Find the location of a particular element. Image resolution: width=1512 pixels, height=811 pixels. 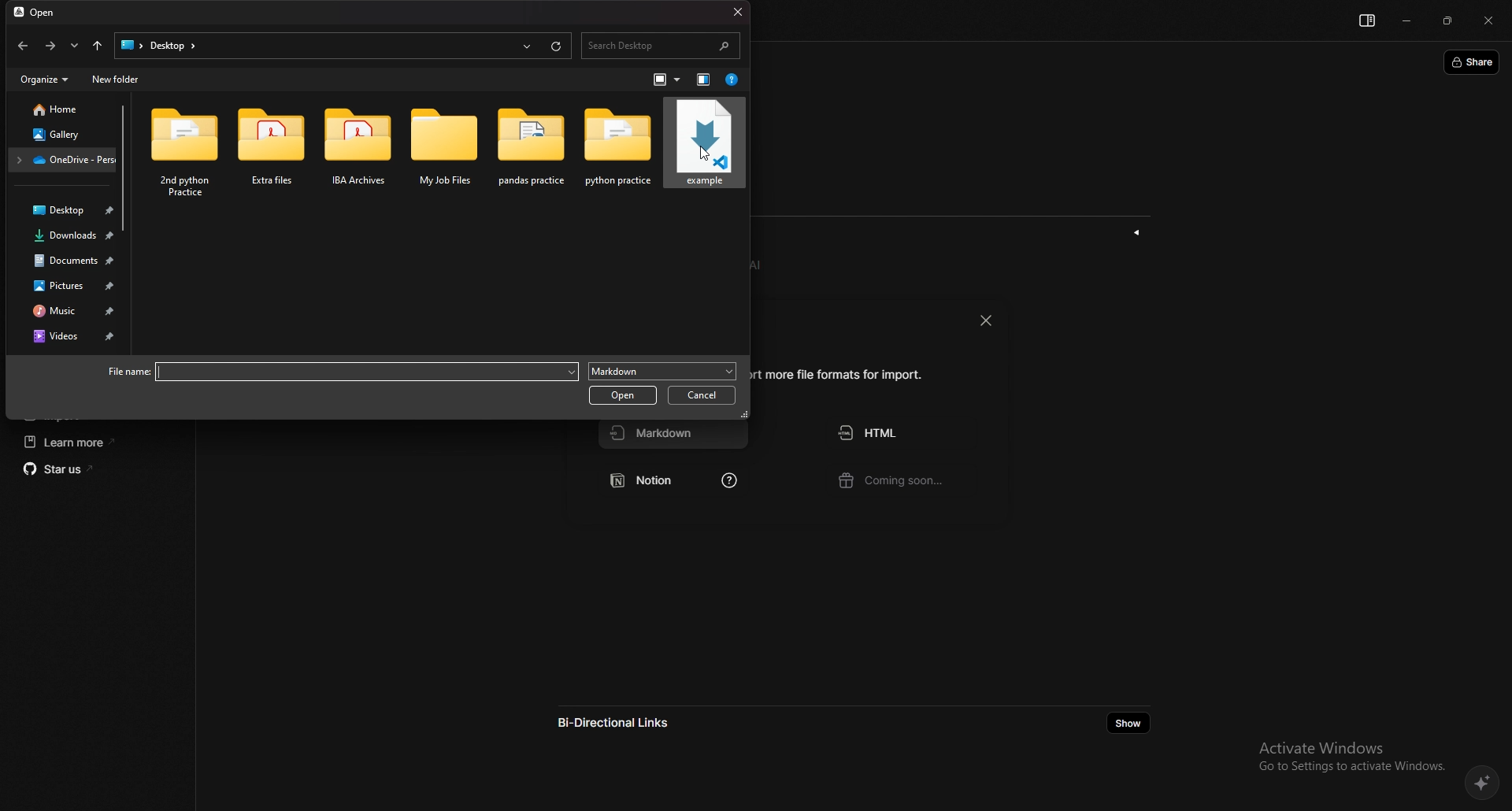

cursor is located at coordinates (707, 154).